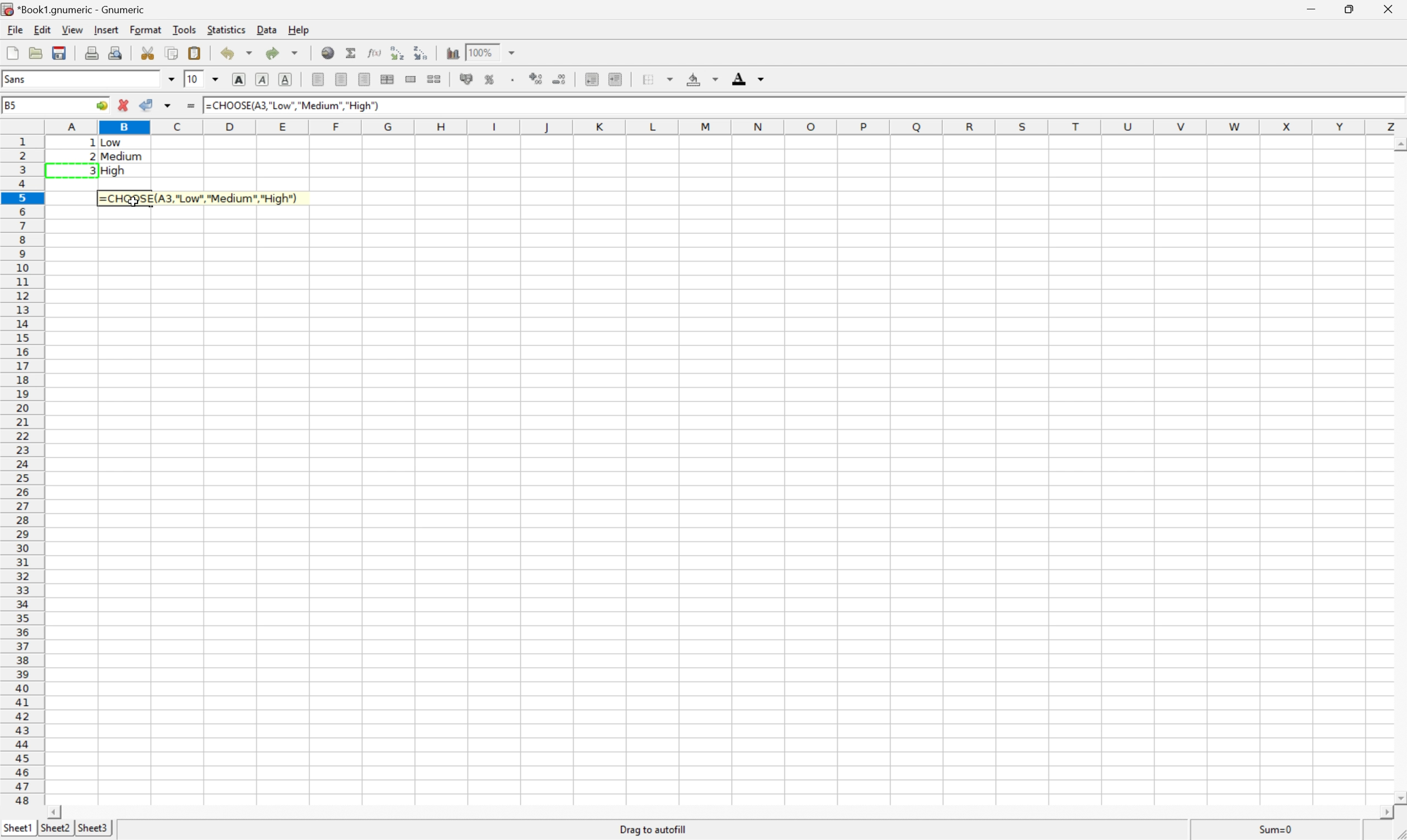  What do you see at coordinates (12, 105) in the screenshot?
I see `B5` at bounding box center [12, 105].